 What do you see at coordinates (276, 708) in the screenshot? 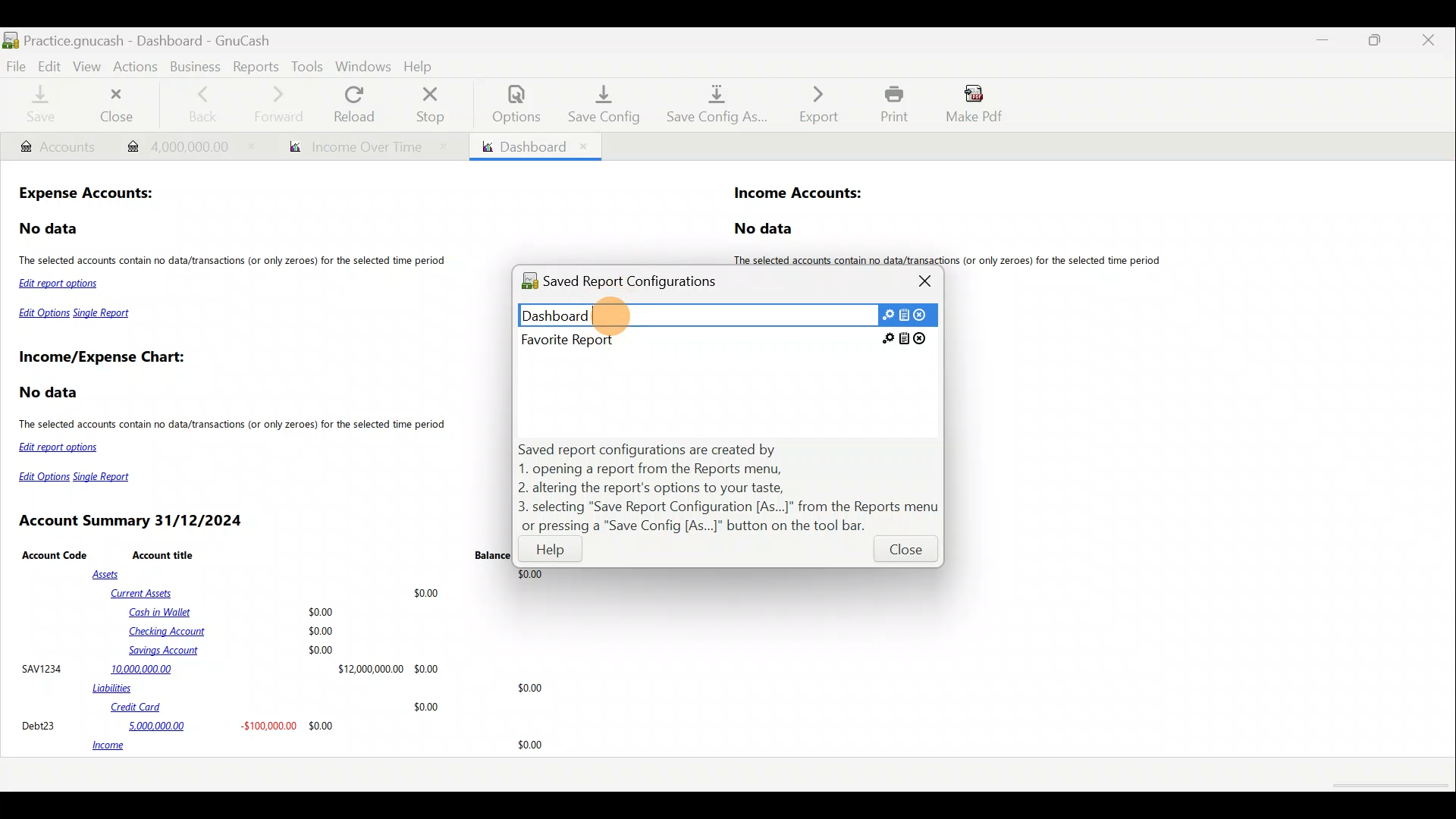
I see `Credit Card $0.00` at bounding box center [276, 708].